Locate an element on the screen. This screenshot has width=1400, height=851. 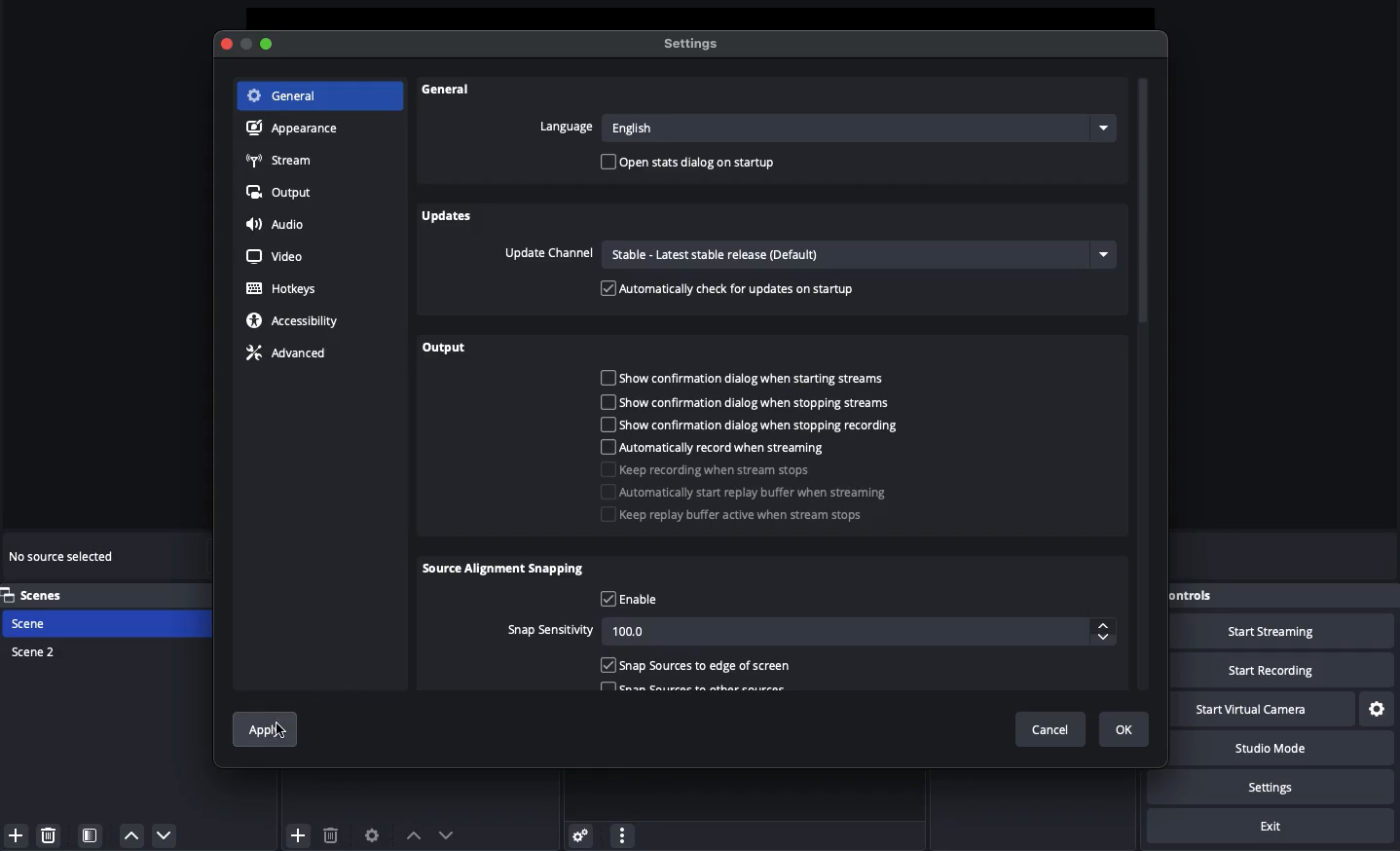
Advanced audio menu is located at coordinates (580, 833).